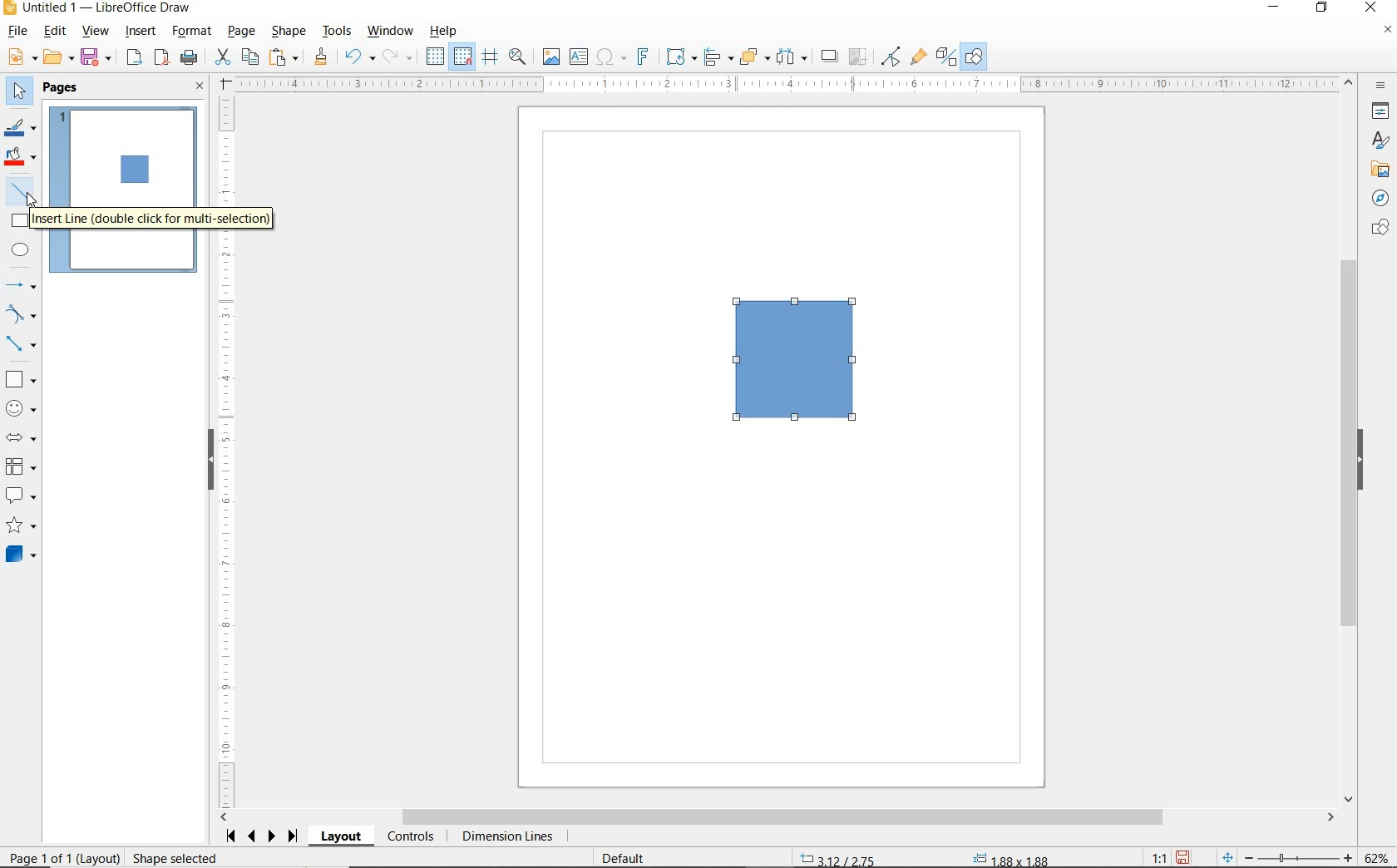 This screenshot has width=1397, height=868. What do you see at coordinates (854, 314) in the screenshot?
I see `` at bounding box center [854, 314].